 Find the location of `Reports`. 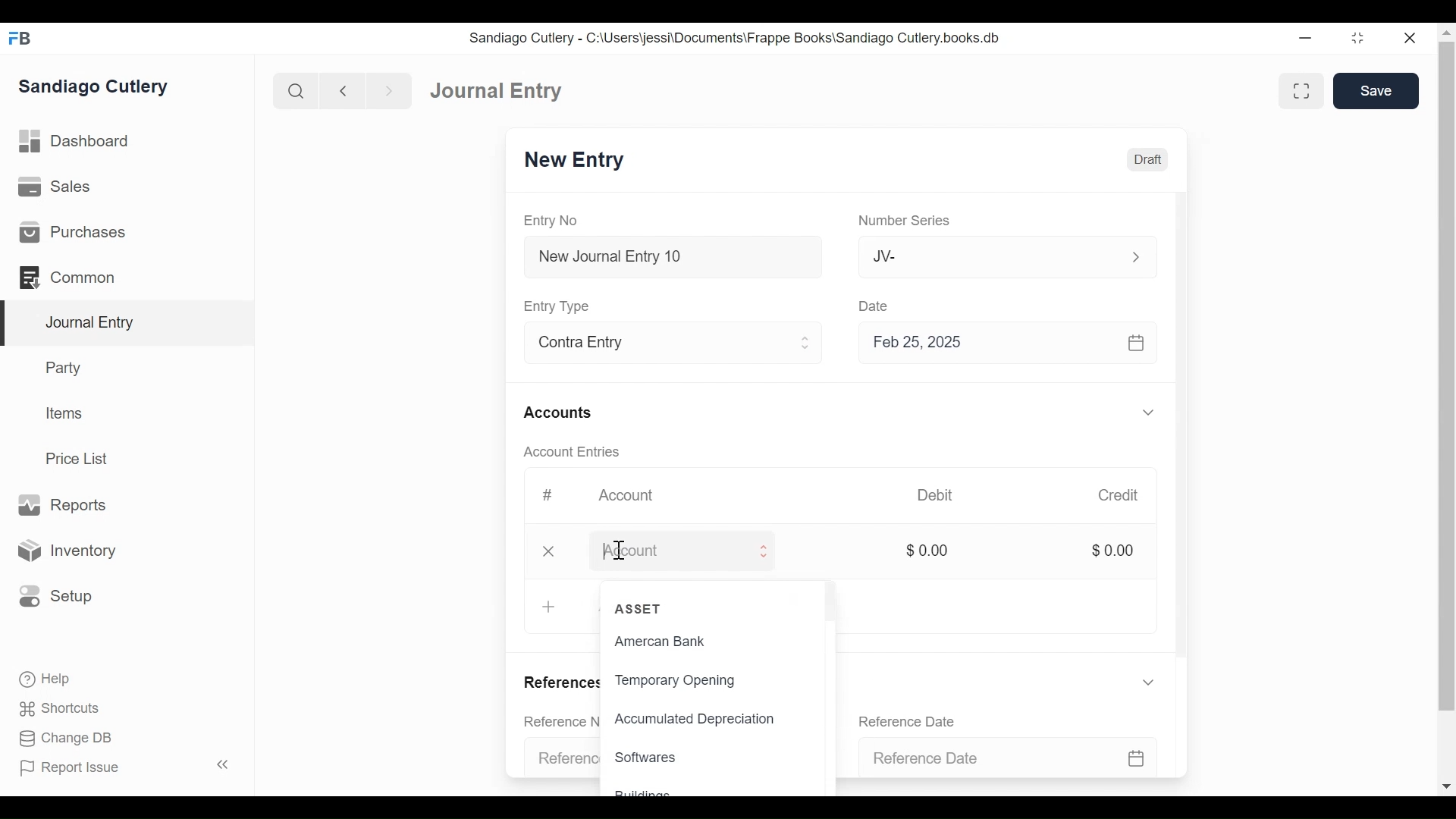

Reports is located at coordinates (61, 504).